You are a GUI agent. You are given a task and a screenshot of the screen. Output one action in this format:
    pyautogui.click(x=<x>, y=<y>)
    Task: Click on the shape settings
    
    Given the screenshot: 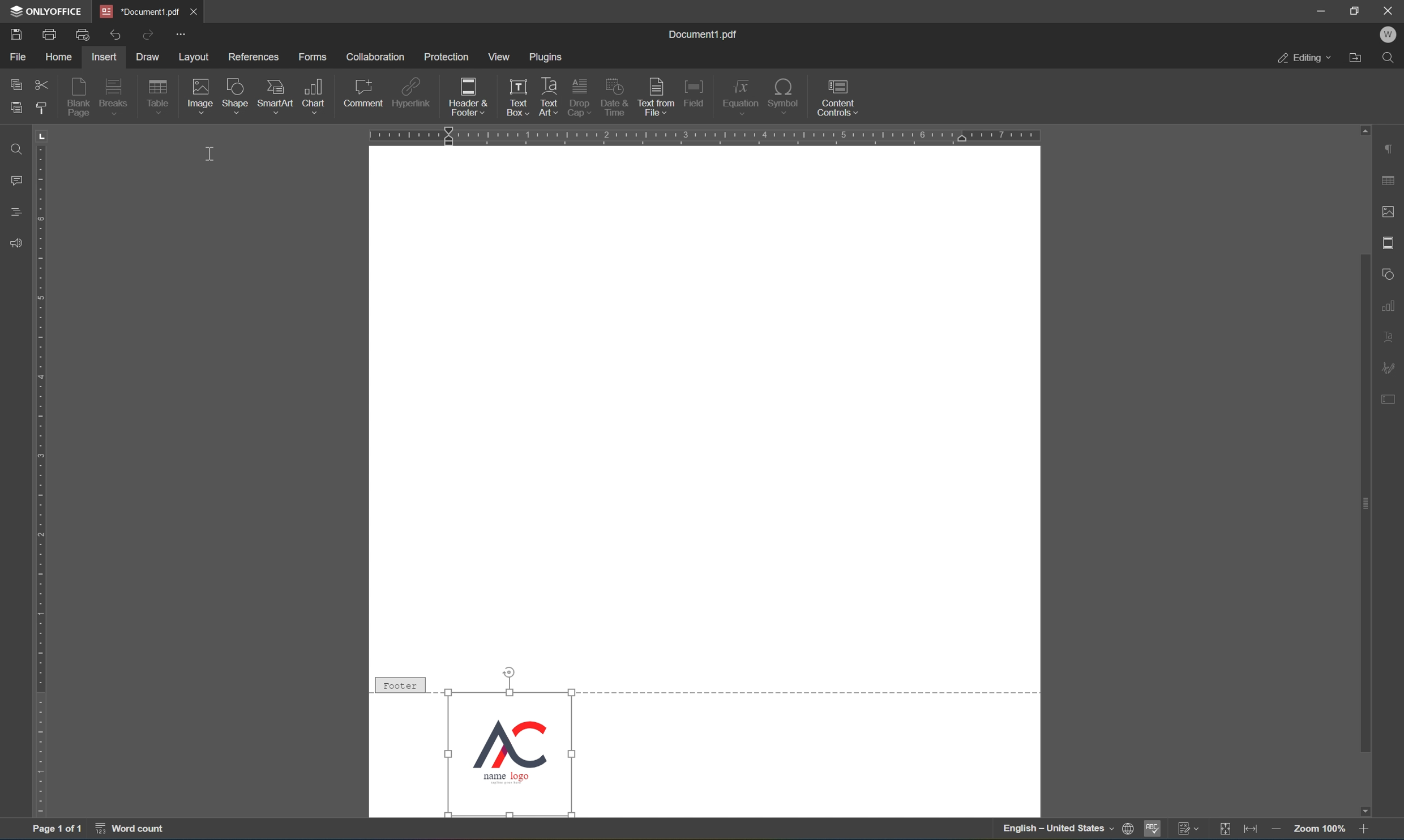 What is the action you would take?
    pyautogui.click(x=1391, y=272)
    